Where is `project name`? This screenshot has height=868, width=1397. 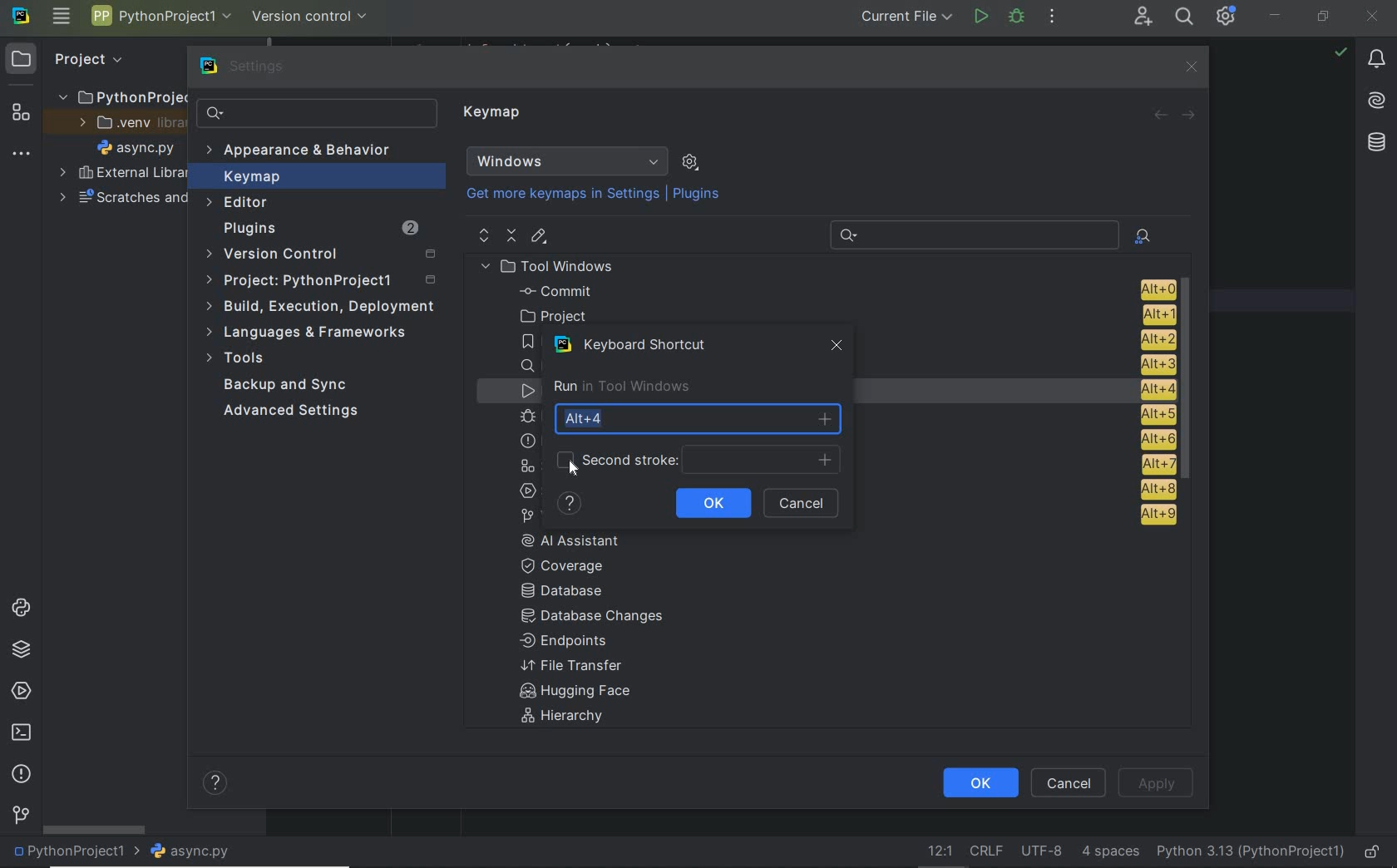
project name is located at coordinates (72, 853).